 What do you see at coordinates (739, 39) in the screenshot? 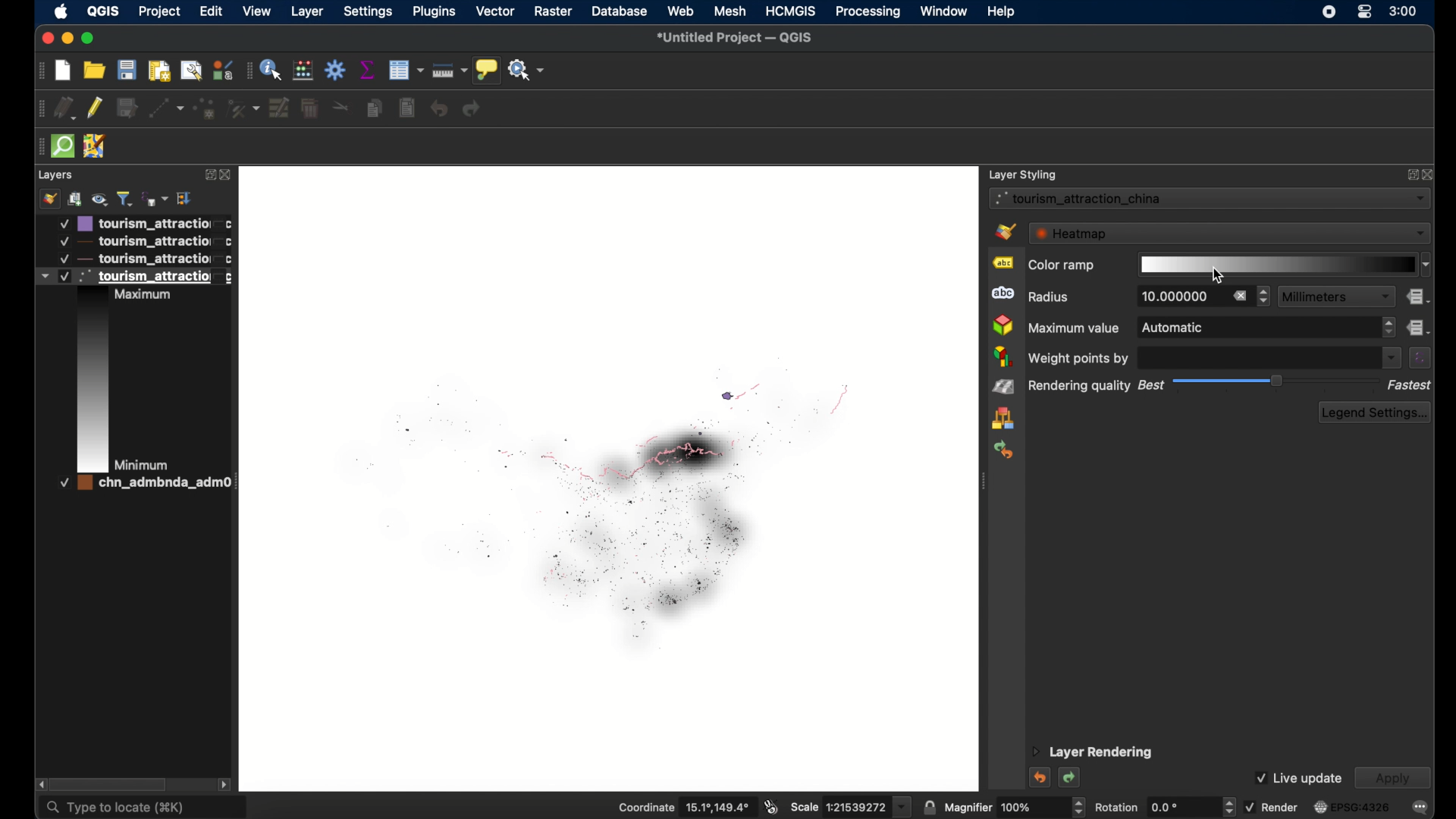
I see `untitled project -QGIS` at bounding box center [739, 39].